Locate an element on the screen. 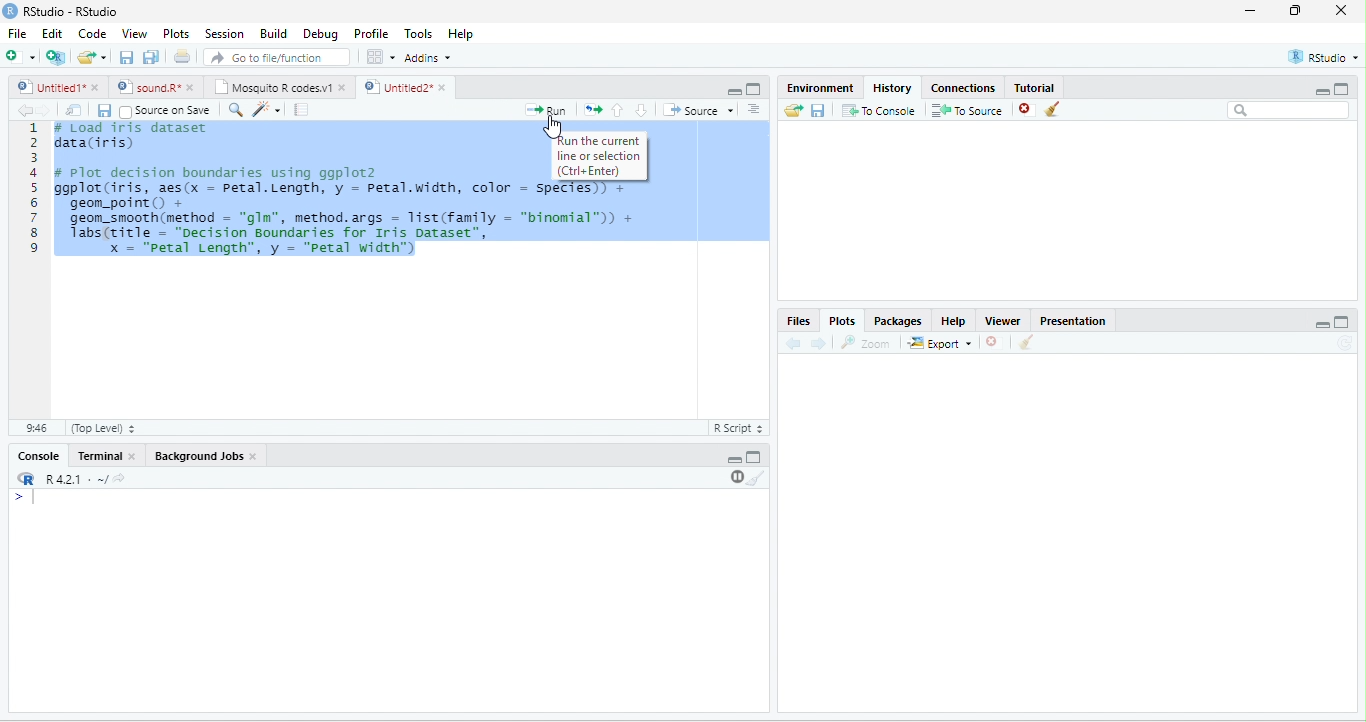 The image size is (1366, 722). Minimize is located at coordinates (1322, 326).